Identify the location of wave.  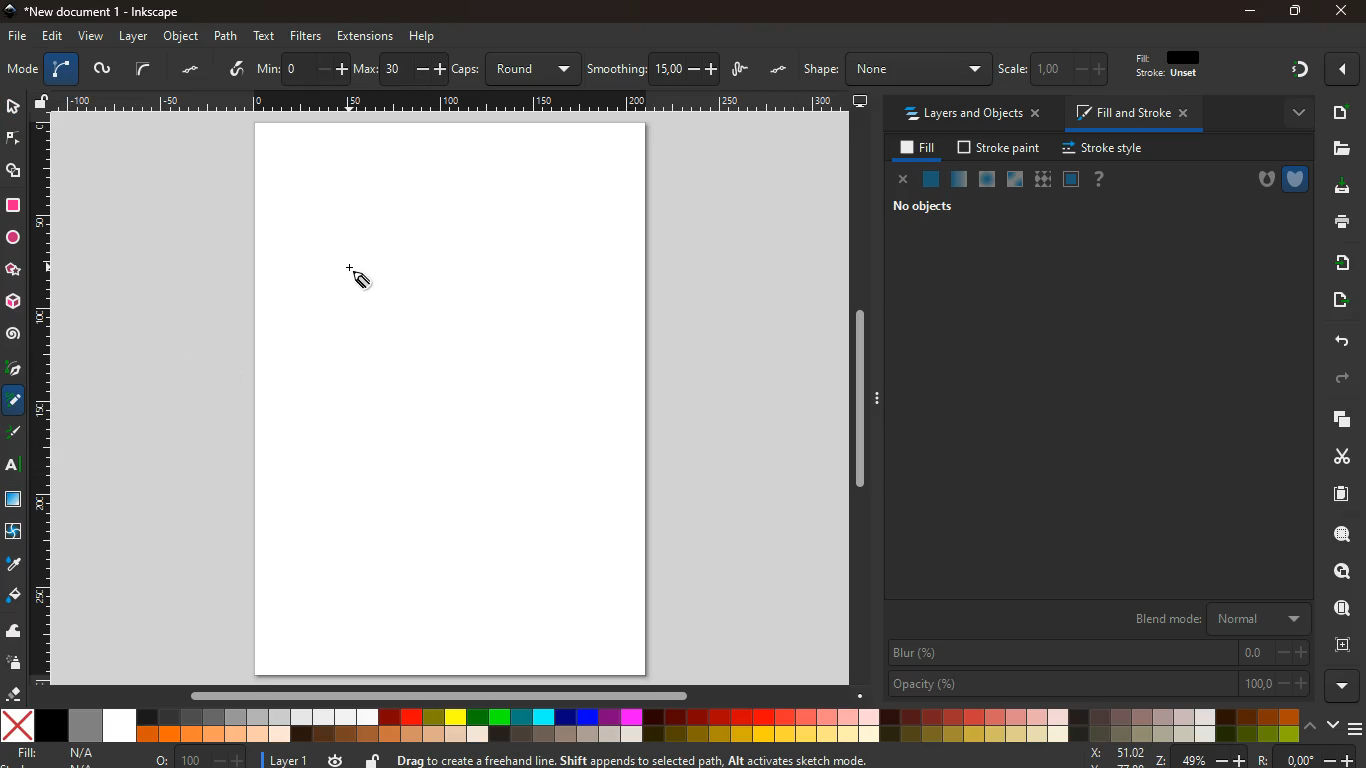
(15, 630).